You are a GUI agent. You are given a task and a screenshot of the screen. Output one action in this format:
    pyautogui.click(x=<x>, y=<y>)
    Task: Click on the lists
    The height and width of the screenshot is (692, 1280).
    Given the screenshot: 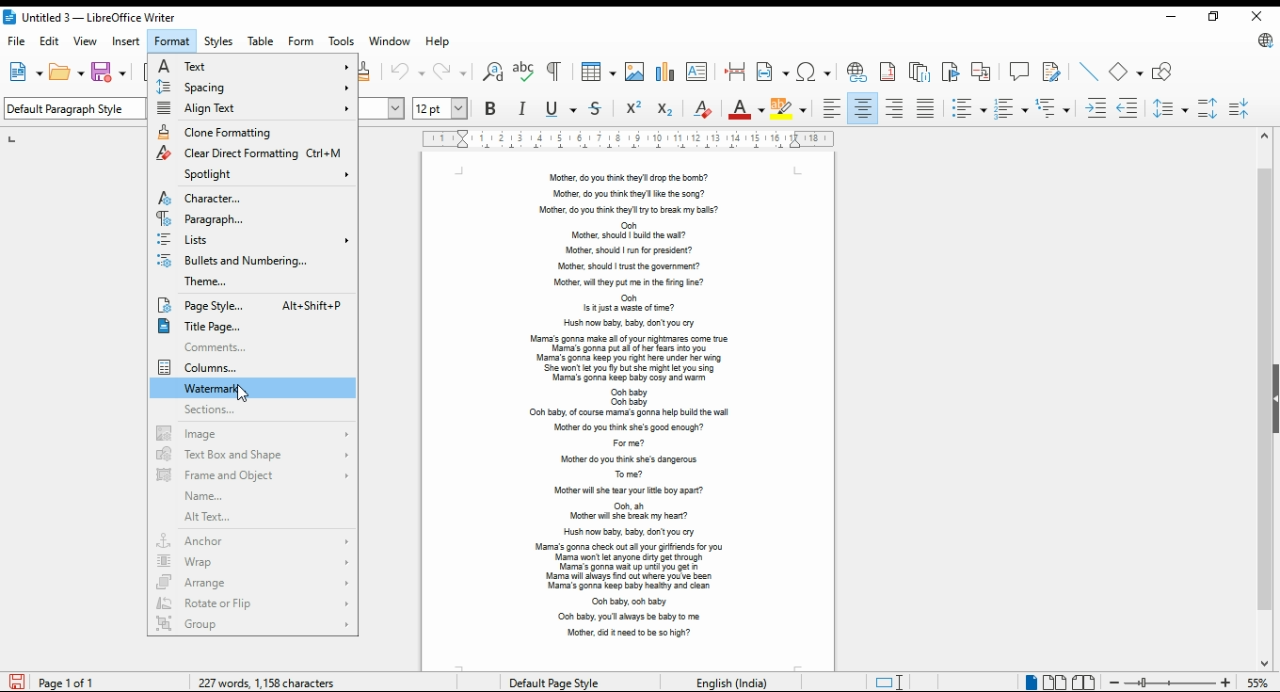 What is the action you would take?
    pyautogui.click(x=255, y=241)
    